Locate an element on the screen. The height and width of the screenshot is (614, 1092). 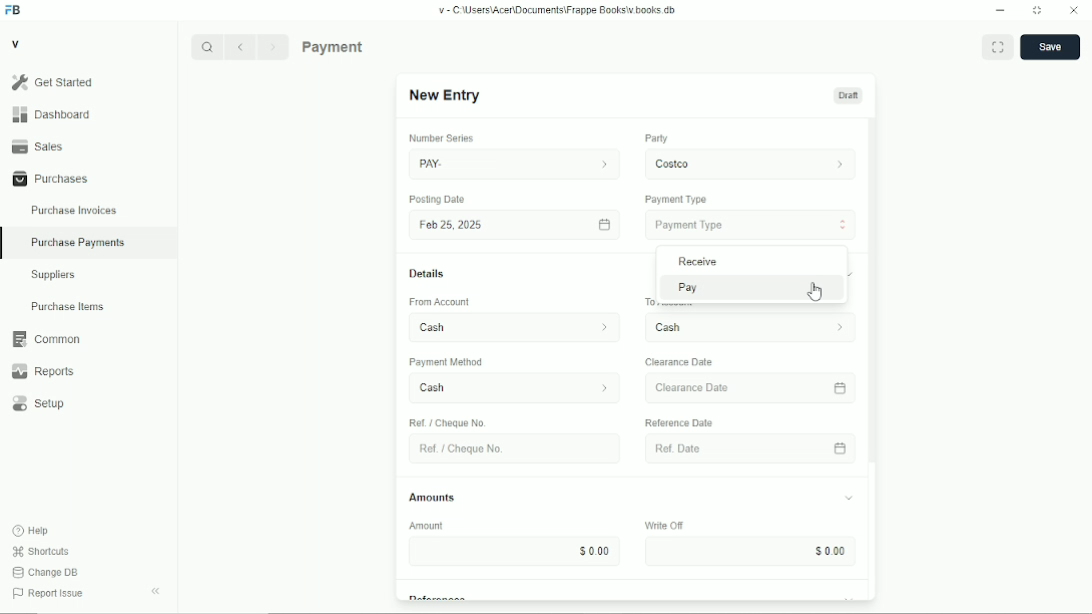
Shortcuts is located at coordinates (41, 552).